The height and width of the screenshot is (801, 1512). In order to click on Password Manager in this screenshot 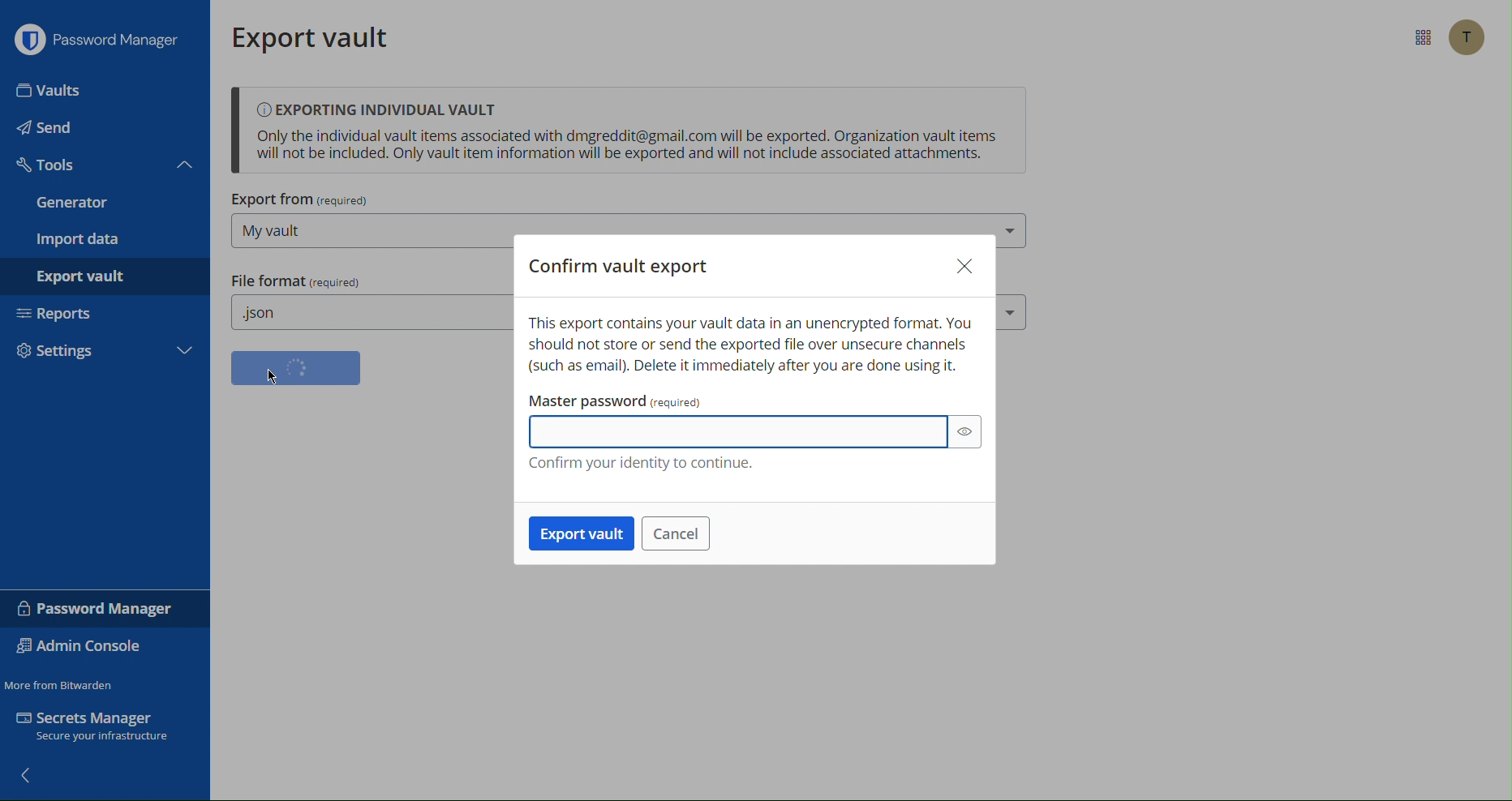, I will do `click(100, 42)`.